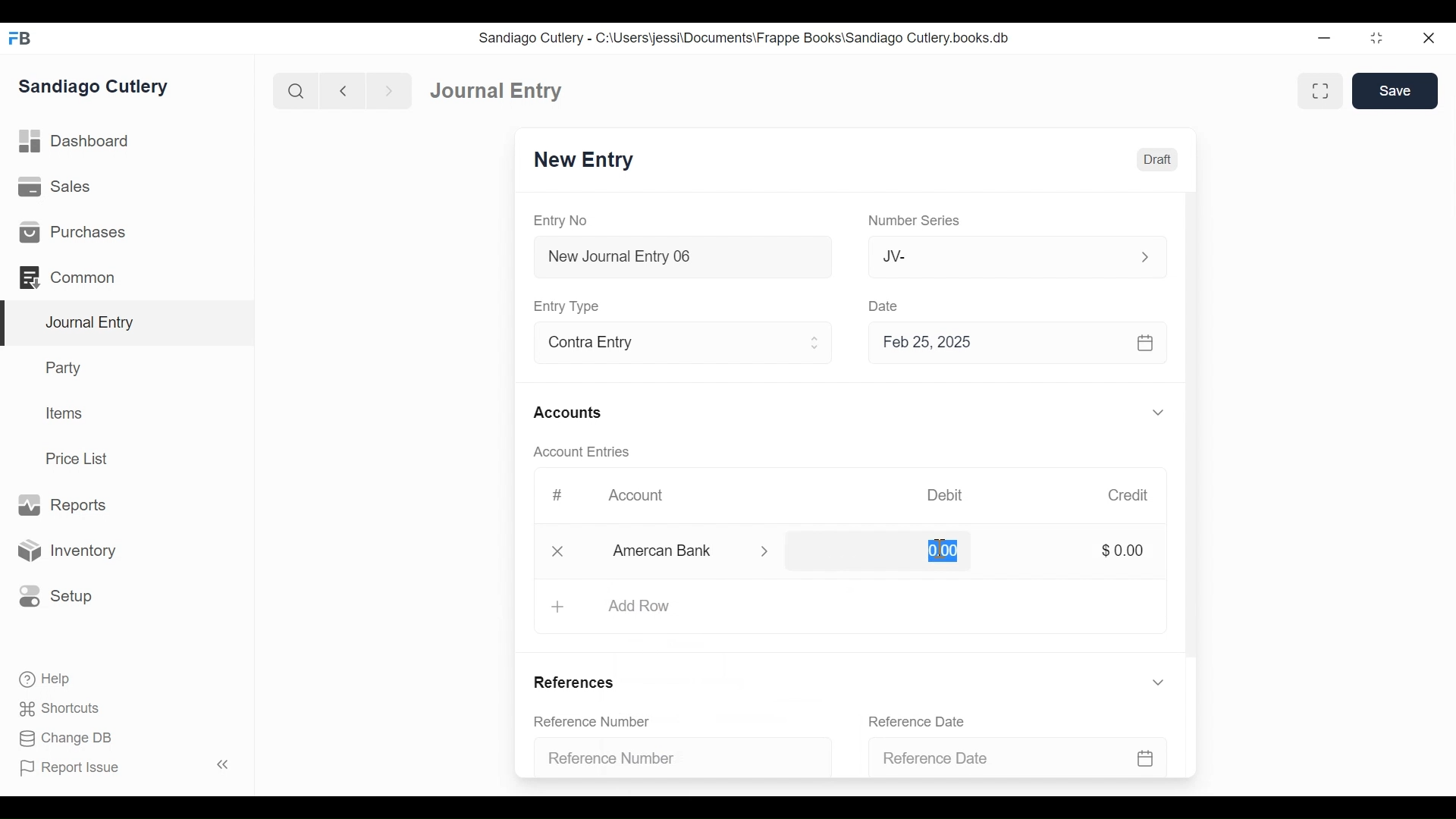  Describe the element at coordinates (679, 552) in the screenshot. I see `Amercan Bank` at that location.